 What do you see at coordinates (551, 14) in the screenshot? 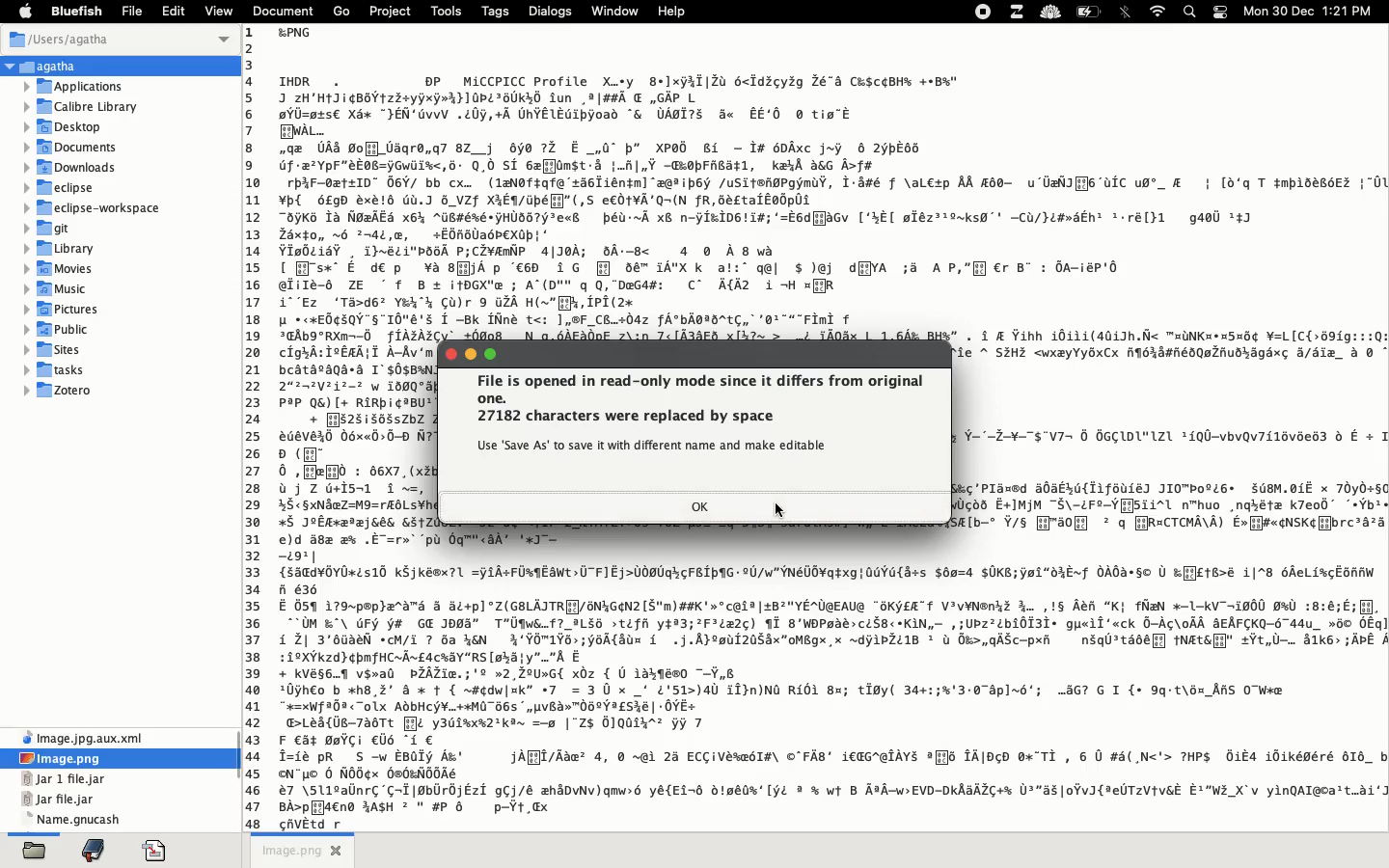
I see `dialogs` at bounding box center [551, 14].